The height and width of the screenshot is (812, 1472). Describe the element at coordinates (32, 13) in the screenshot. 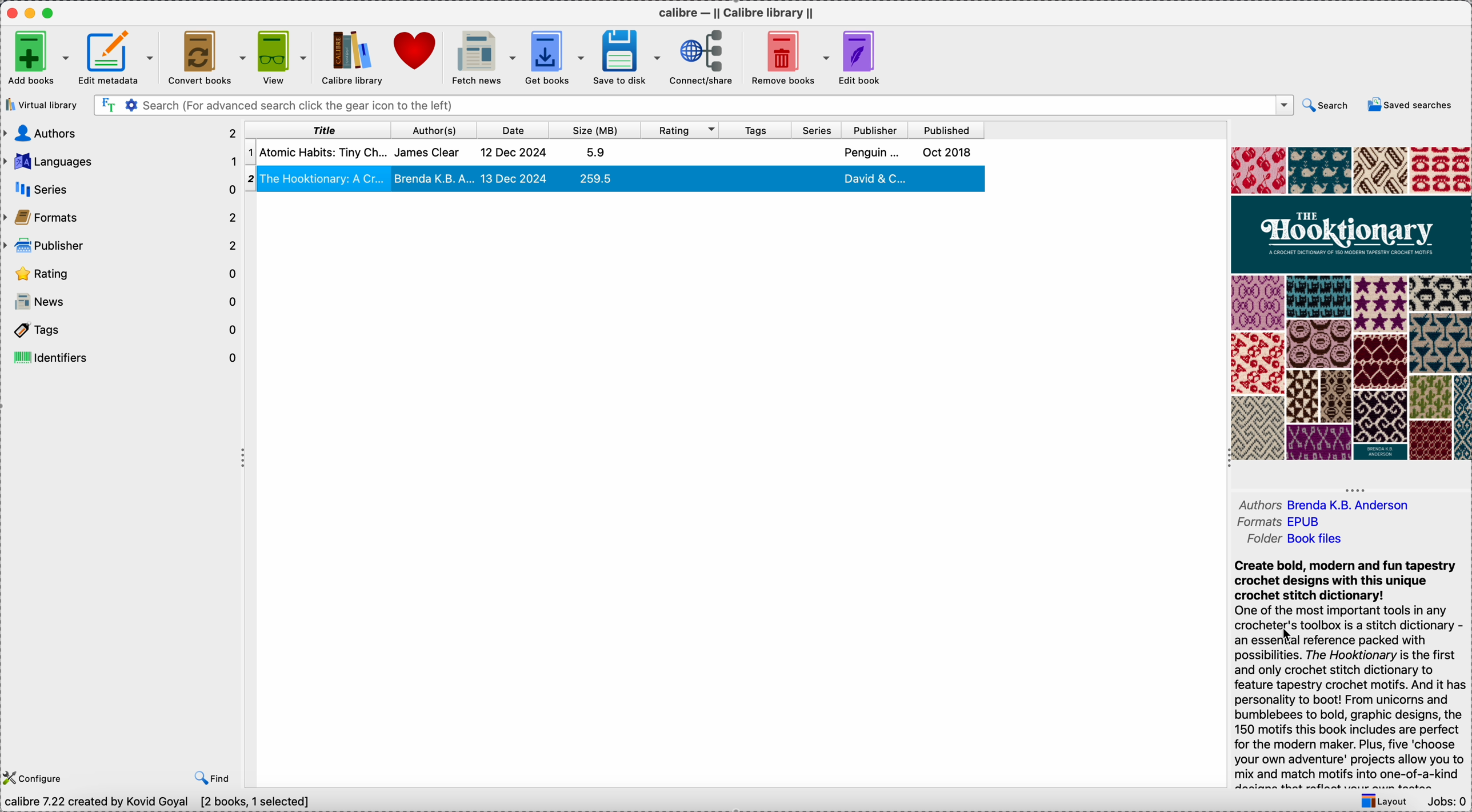

I see `minimize Calibre` at that location.